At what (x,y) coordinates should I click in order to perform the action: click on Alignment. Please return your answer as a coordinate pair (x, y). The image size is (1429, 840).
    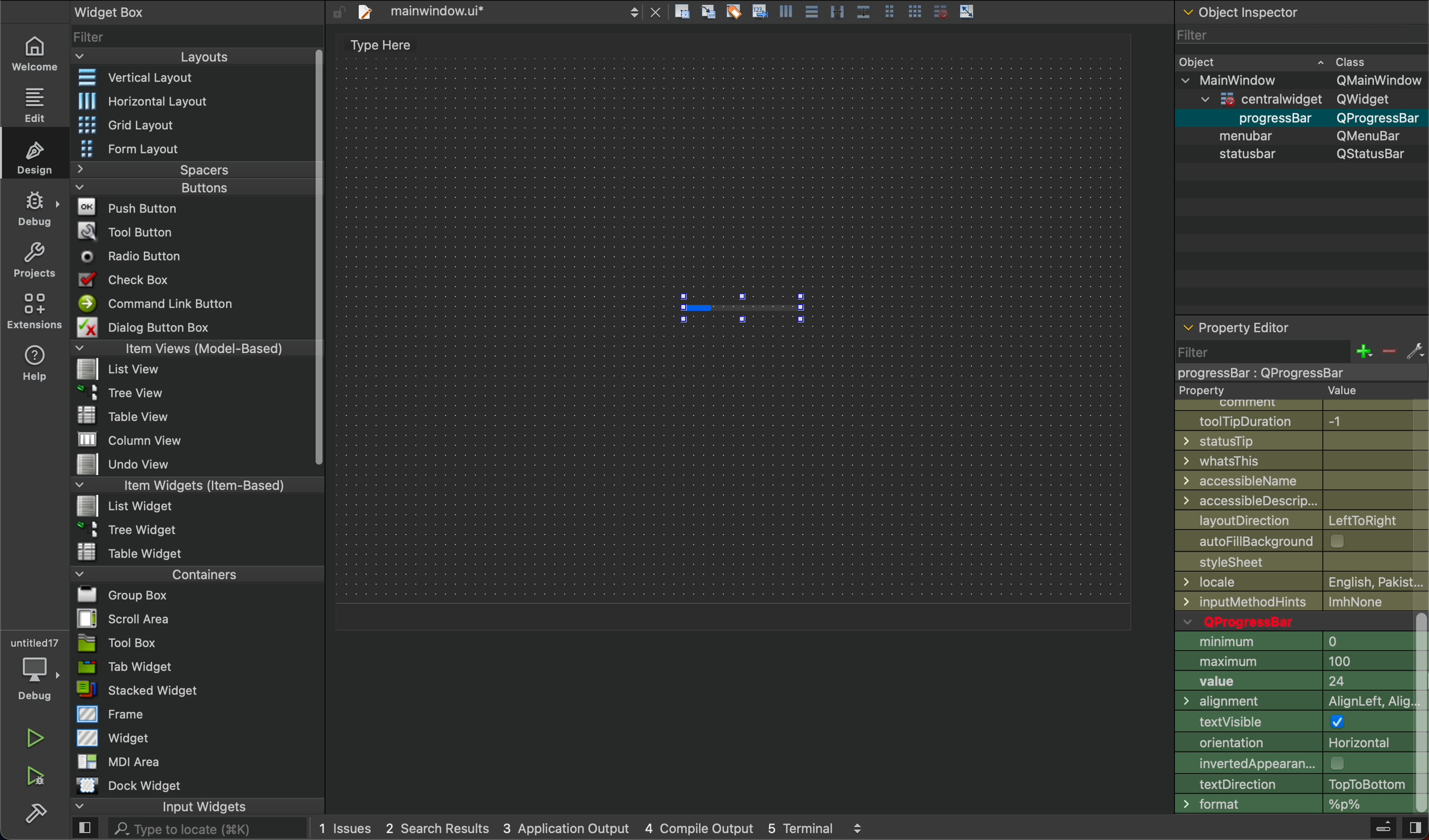
    Looking at the image, I should click on (1293, 703).